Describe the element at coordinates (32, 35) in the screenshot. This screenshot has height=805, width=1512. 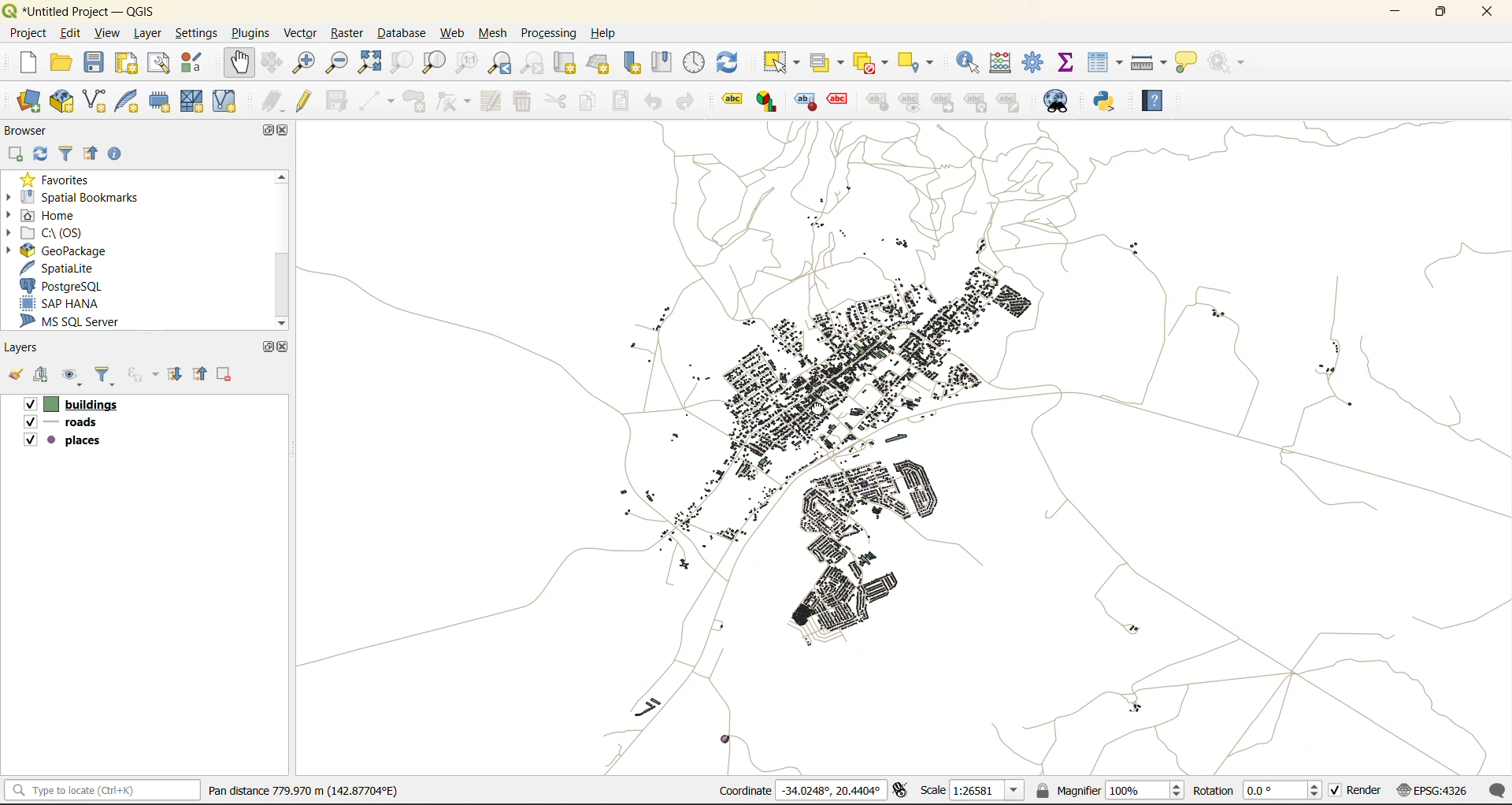
I see `project` at that location.